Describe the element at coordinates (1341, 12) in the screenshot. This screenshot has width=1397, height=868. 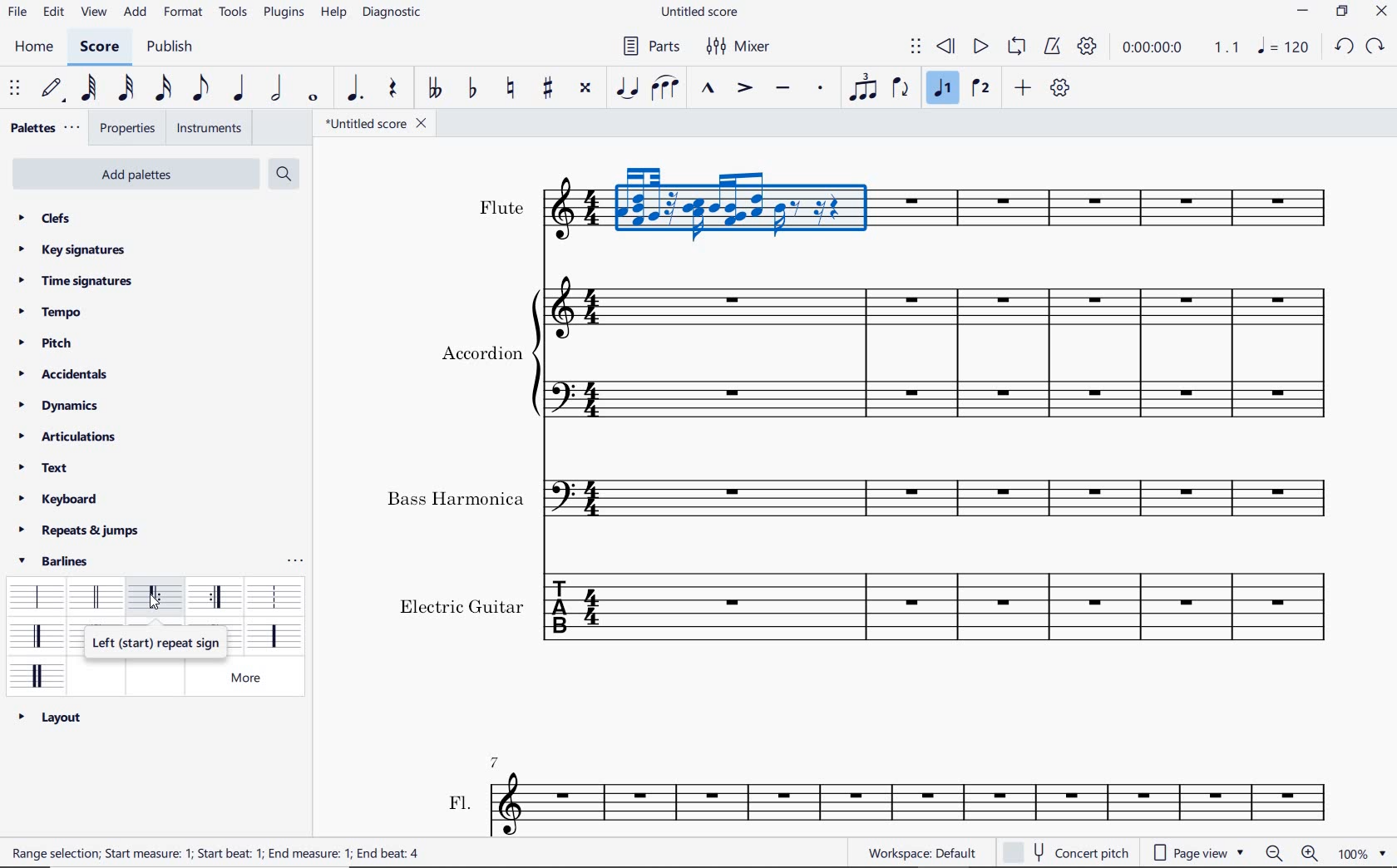
I see `RESTORE DOWN` at that location.